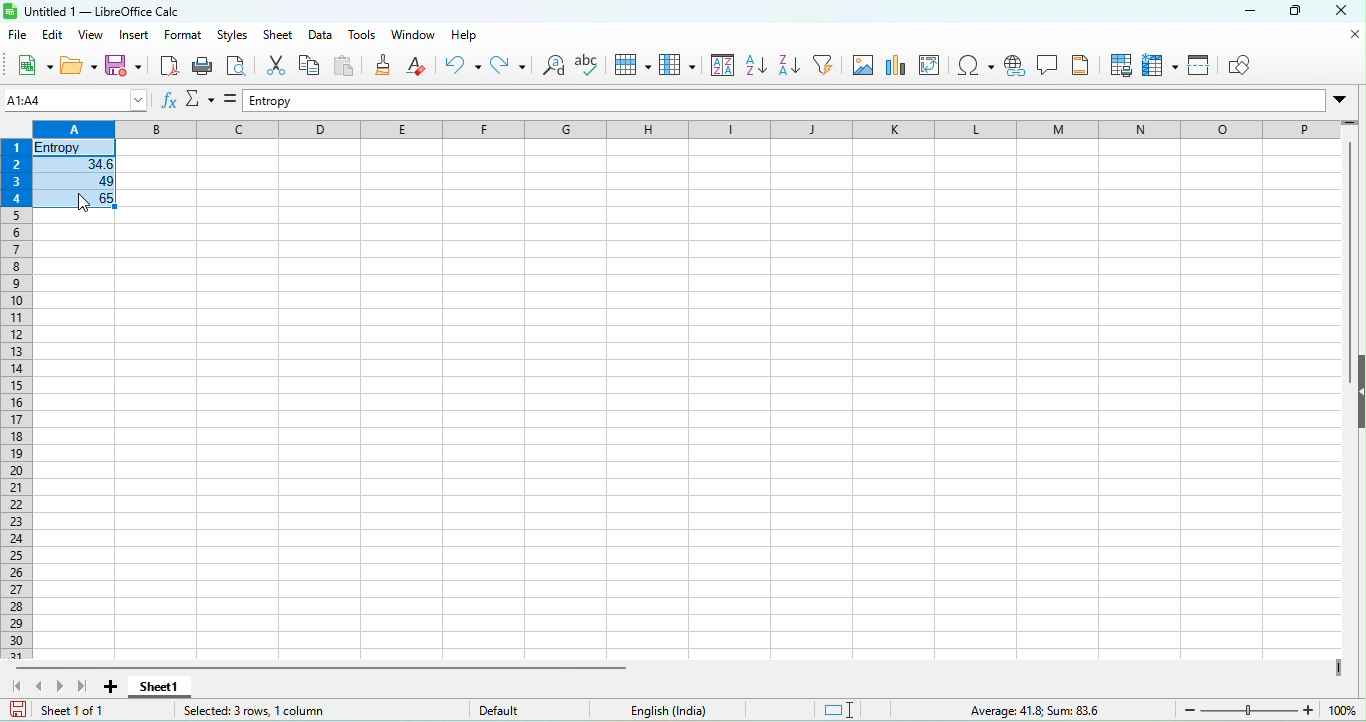 This screenshot has height=722, width=1366. Describe the element at coordinates (43, 684) in the screenshot. I see `scroll to previous sheet` at that location.